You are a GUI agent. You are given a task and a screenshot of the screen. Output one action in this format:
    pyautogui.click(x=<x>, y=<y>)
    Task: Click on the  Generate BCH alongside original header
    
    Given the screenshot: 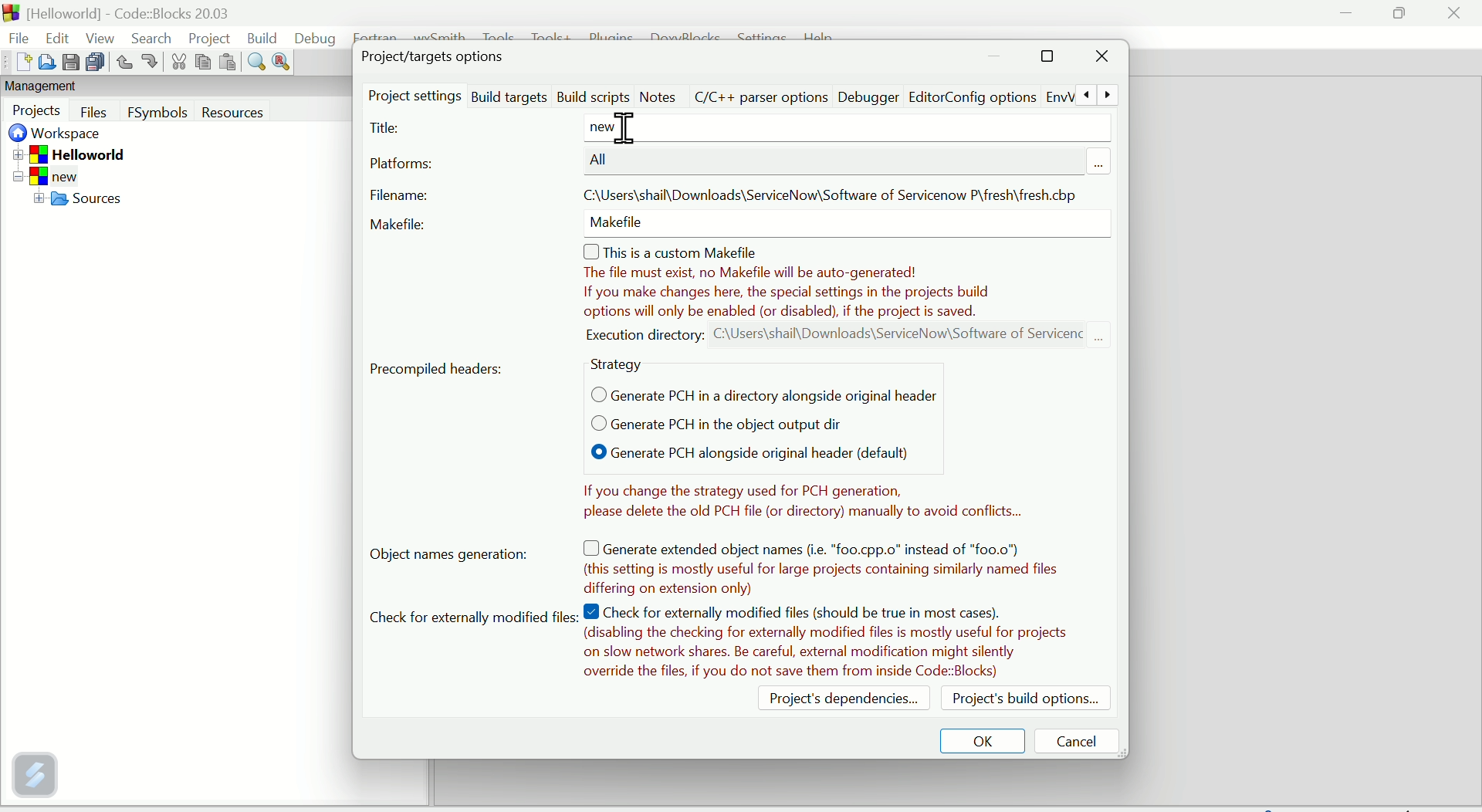 What is the action you would take?
    pyautogui.click(x=732, y=454)
    